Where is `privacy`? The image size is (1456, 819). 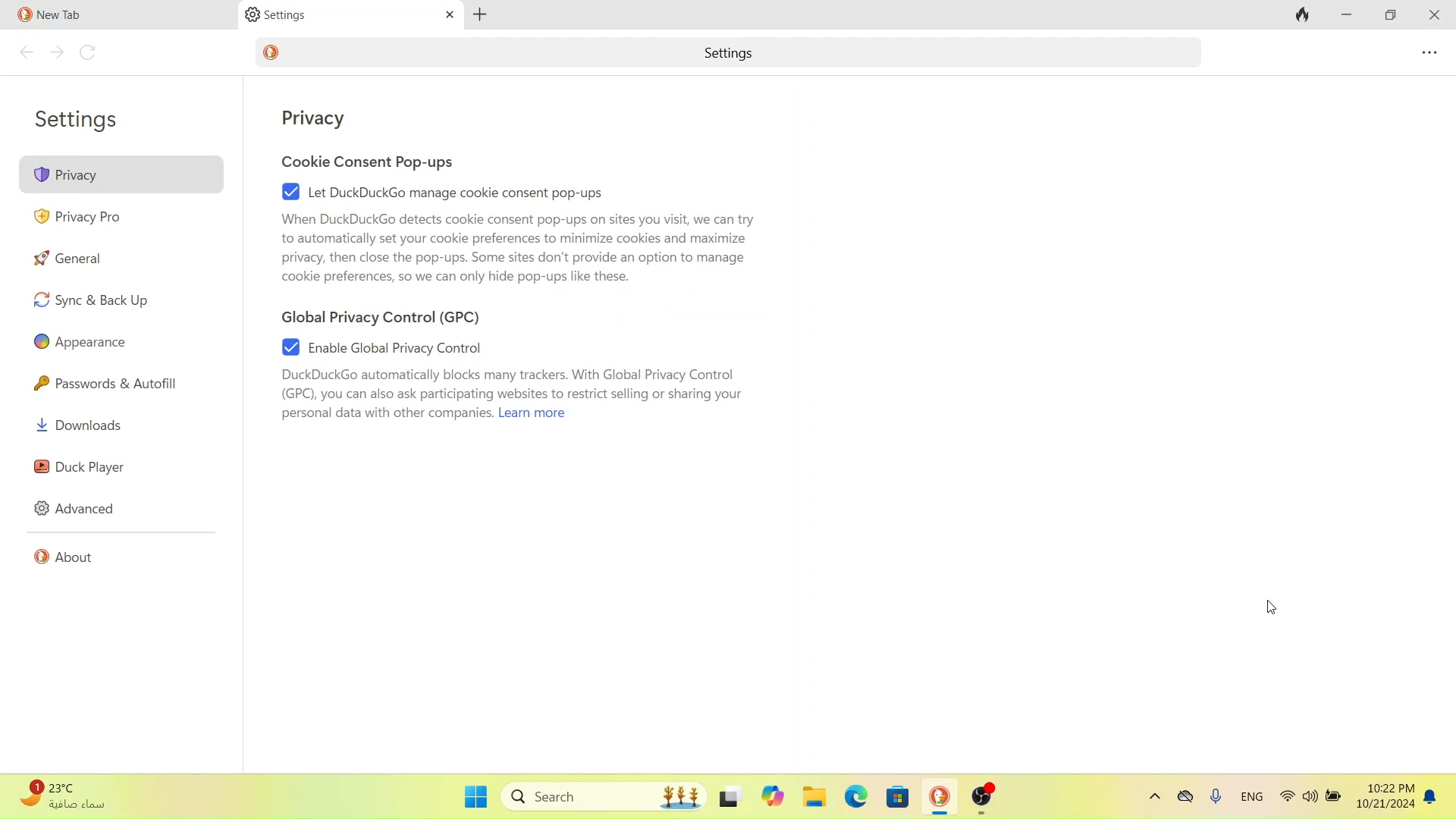 privacy is located at coordinates (312, 119).